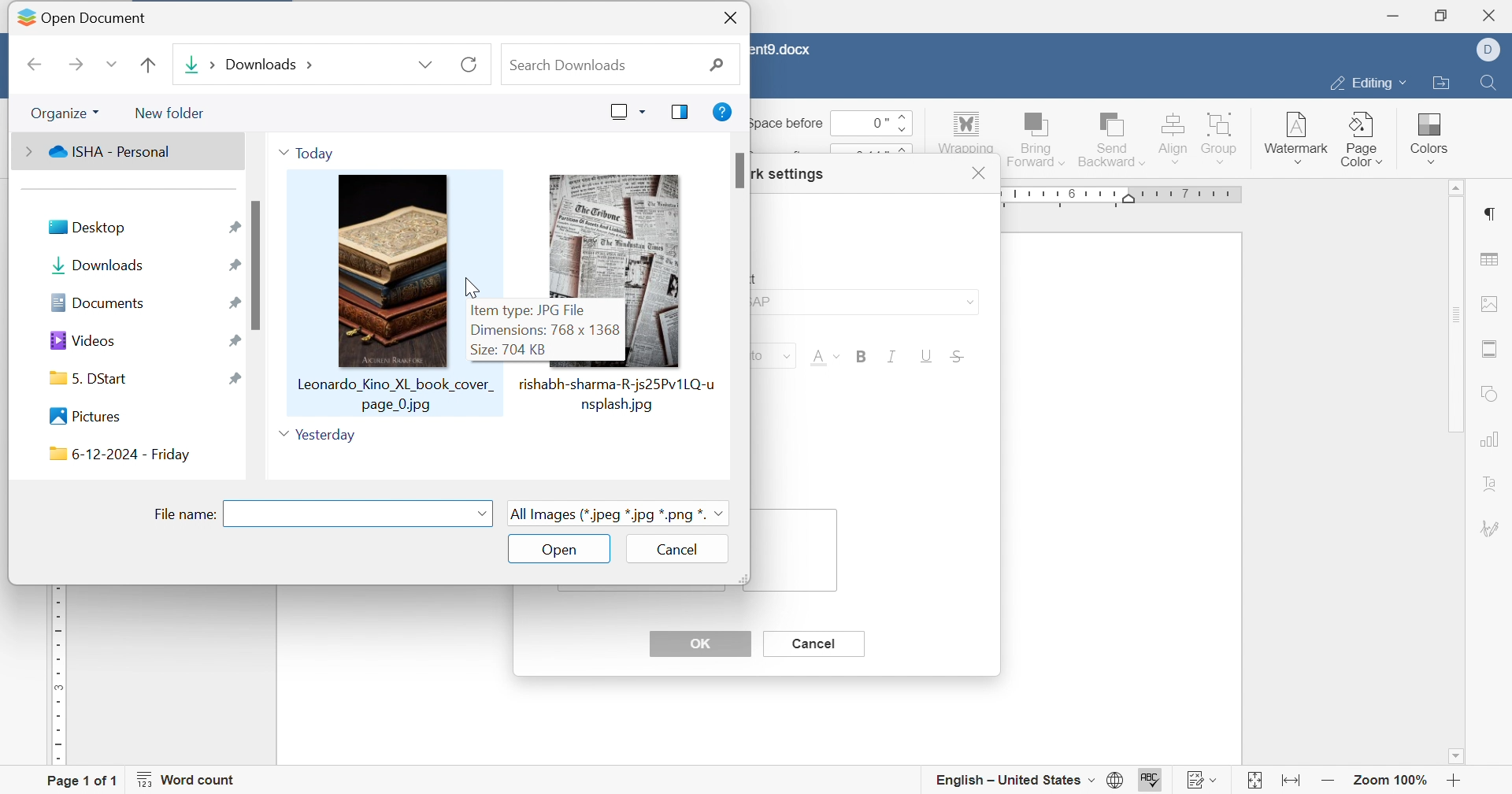 The height and width of the screenshot is (794, 1512). Describe the element at coordinates (309, 150) in the screenshot. I see `today` at that location.